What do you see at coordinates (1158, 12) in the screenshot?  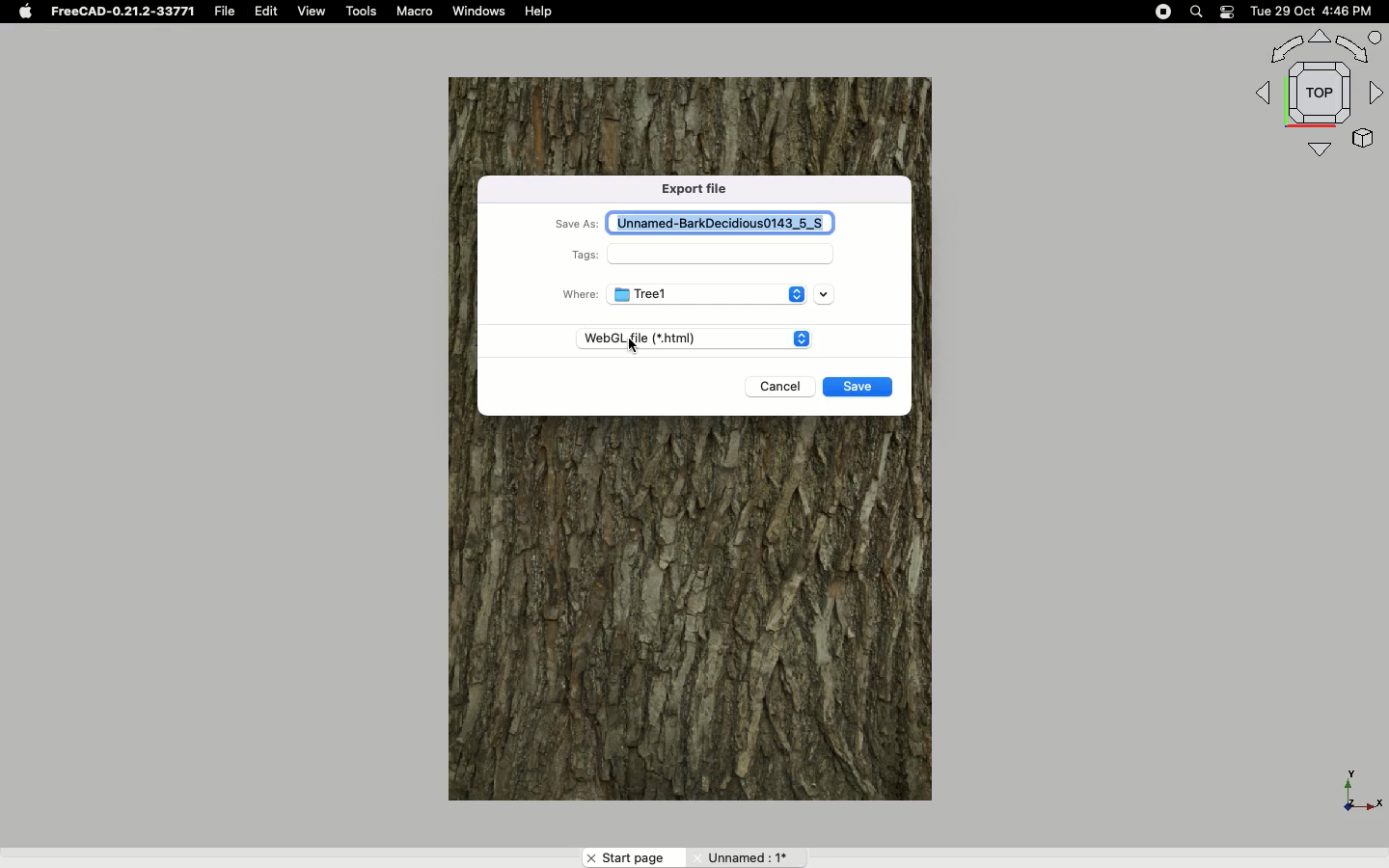 I see `Record` at bounding box center [1158, 12].